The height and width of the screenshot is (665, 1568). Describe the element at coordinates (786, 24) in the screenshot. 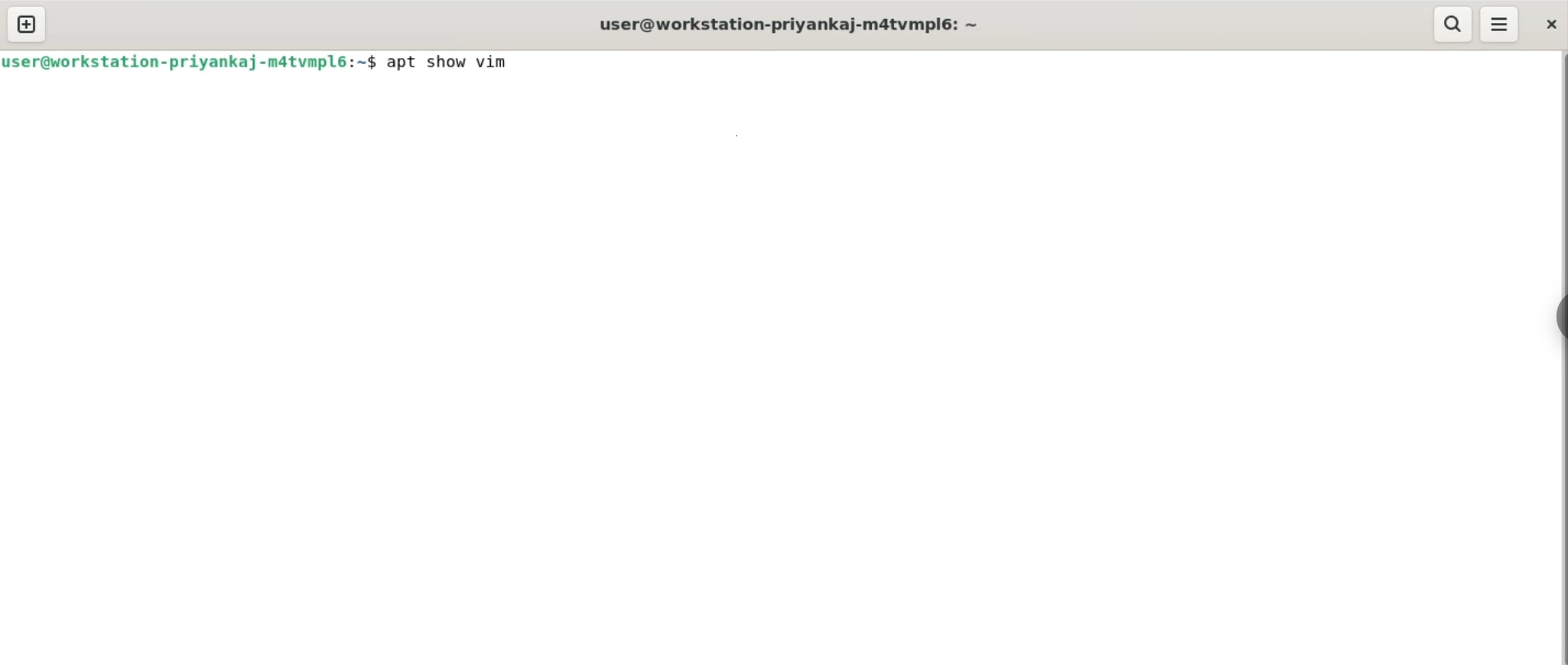

I see `user@workstation-priyankaj-m4tvmpl6:-` at that location.